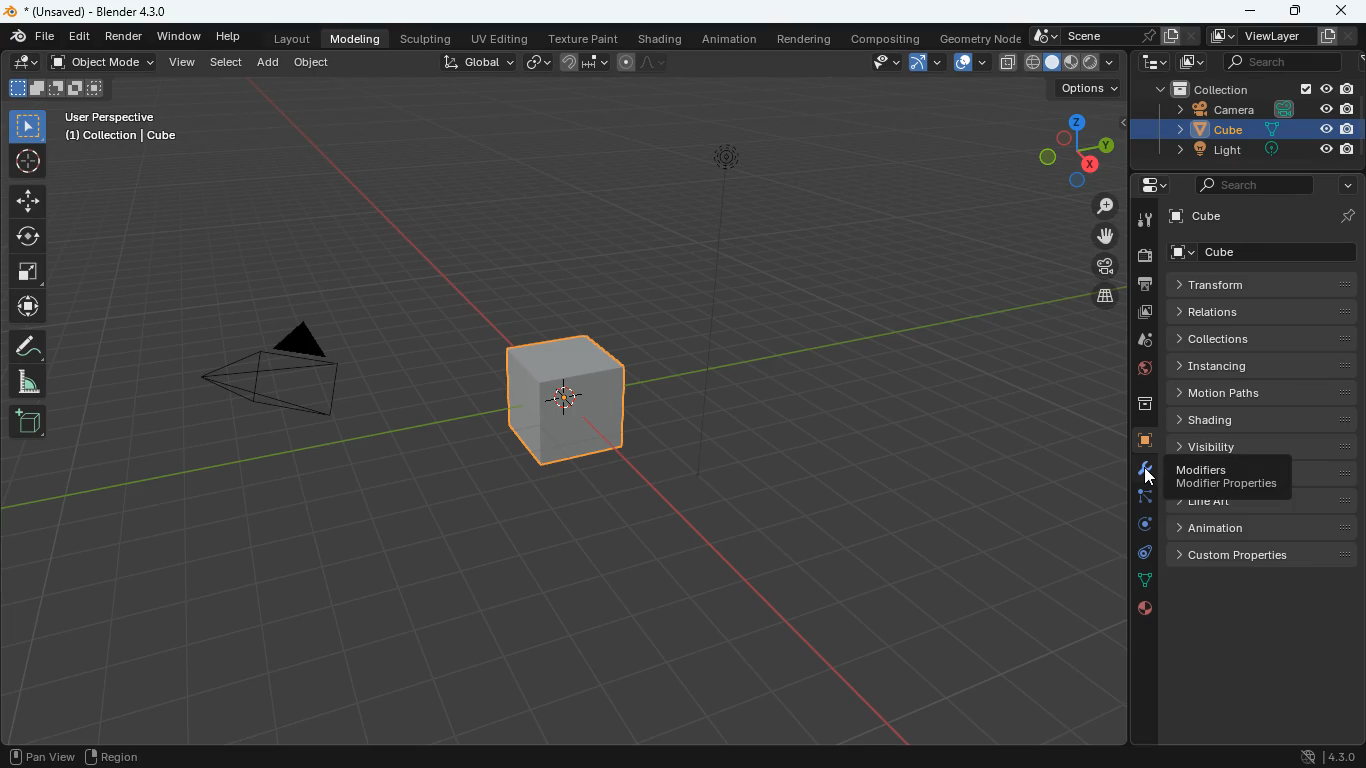 This screenshot has width=1366, height=768. I want to click on shading, so click(660, 39).